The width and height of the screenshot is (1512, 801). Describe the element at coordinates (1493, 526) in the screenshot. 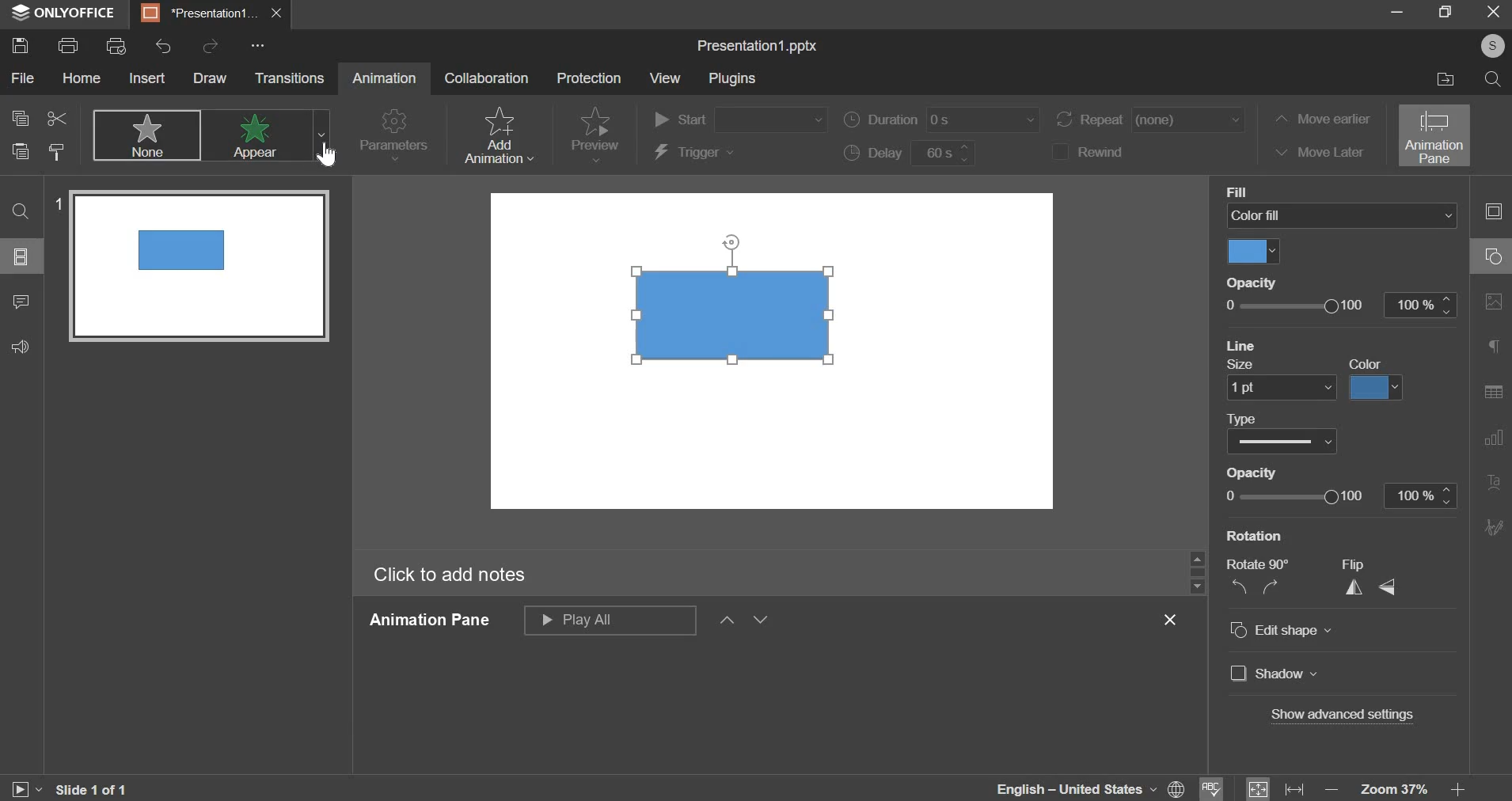

I see `More Options` at that location.